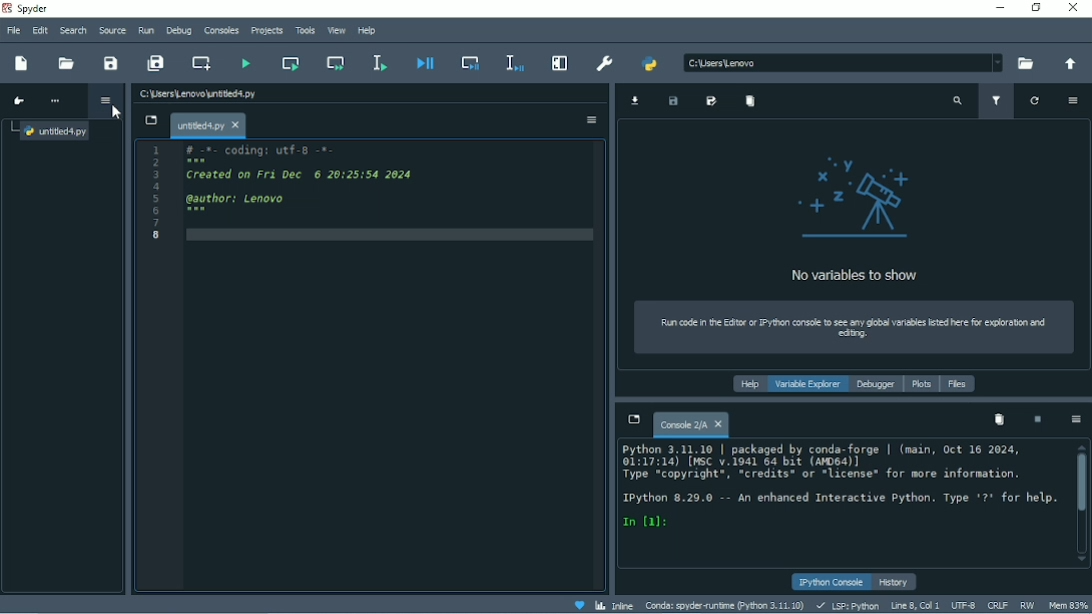 The height and width of the screenshot is (614, 1092). Describe the element at coordinates (824, 63) in the screenshot. I see `c\users\lenovo` at that location.